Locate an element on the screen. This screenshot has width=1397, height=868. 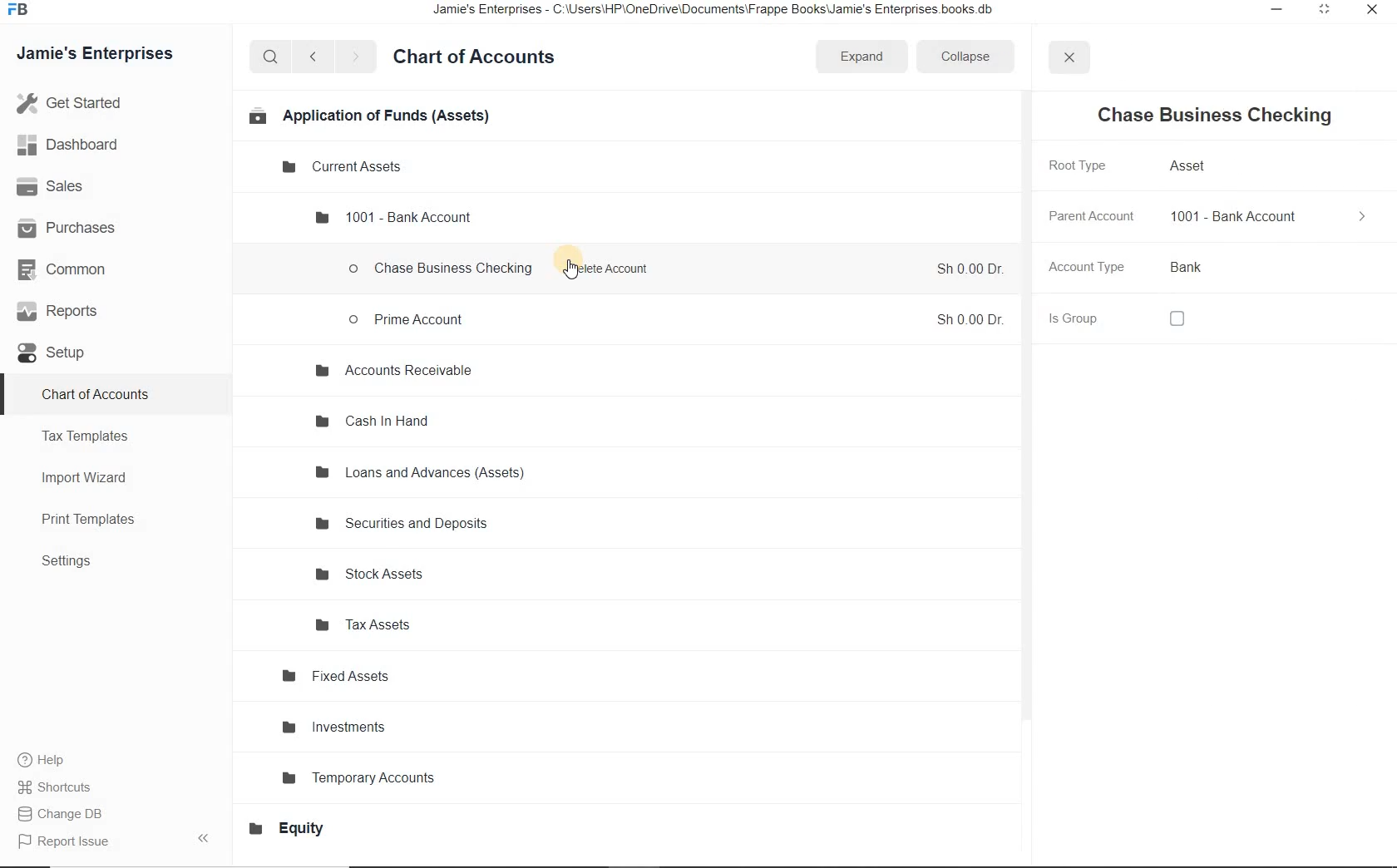
Import Wizard is located at coordinates (92, 476).